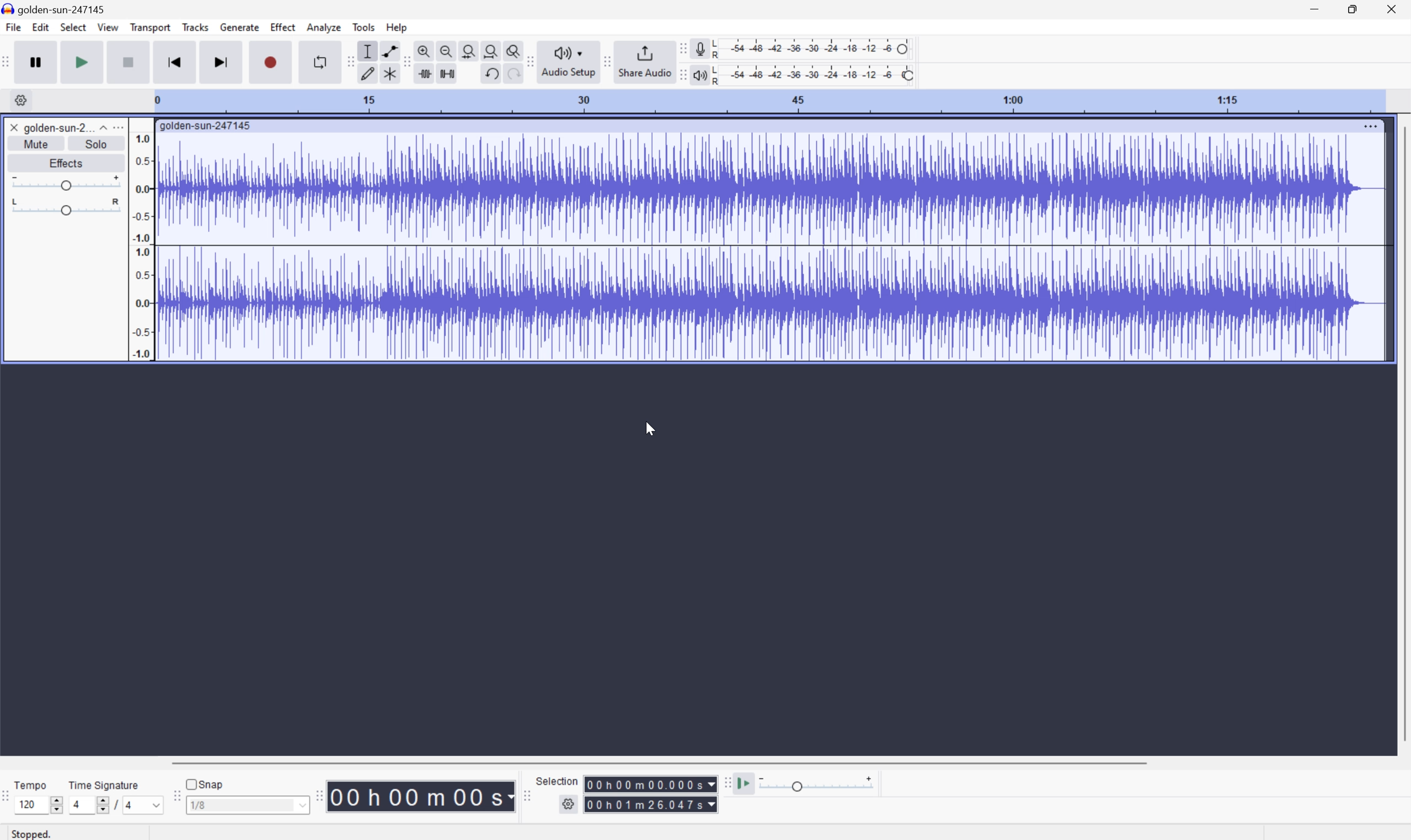 The image size is (1411, 840). I want to click on Settings, so click(570, 807).